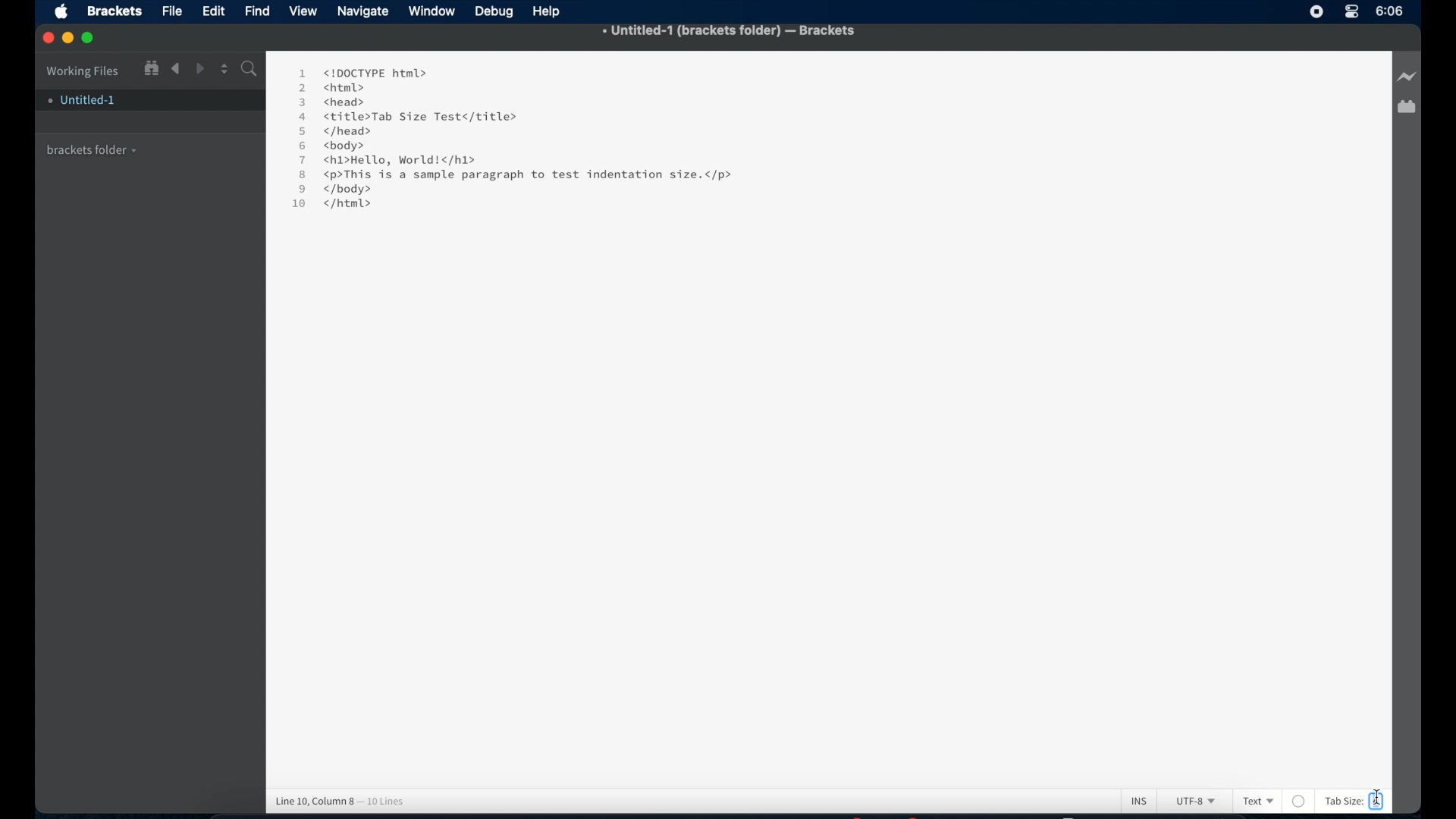  I want to click on Working Files, so click(83, 69).